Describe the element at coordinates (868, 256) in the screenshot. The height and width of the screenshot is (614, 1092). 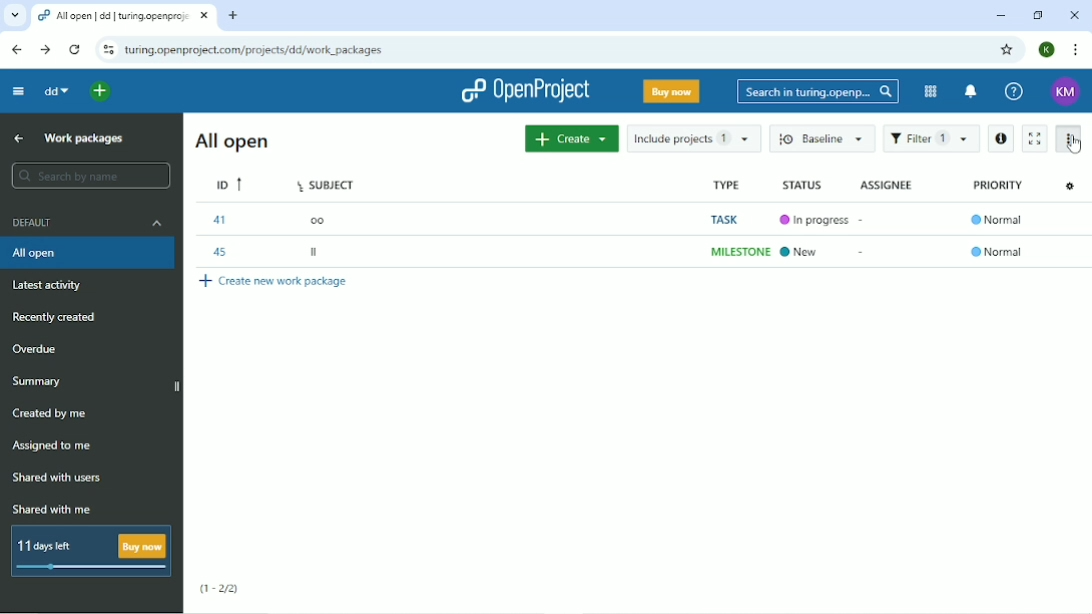
I see `-` at that location.